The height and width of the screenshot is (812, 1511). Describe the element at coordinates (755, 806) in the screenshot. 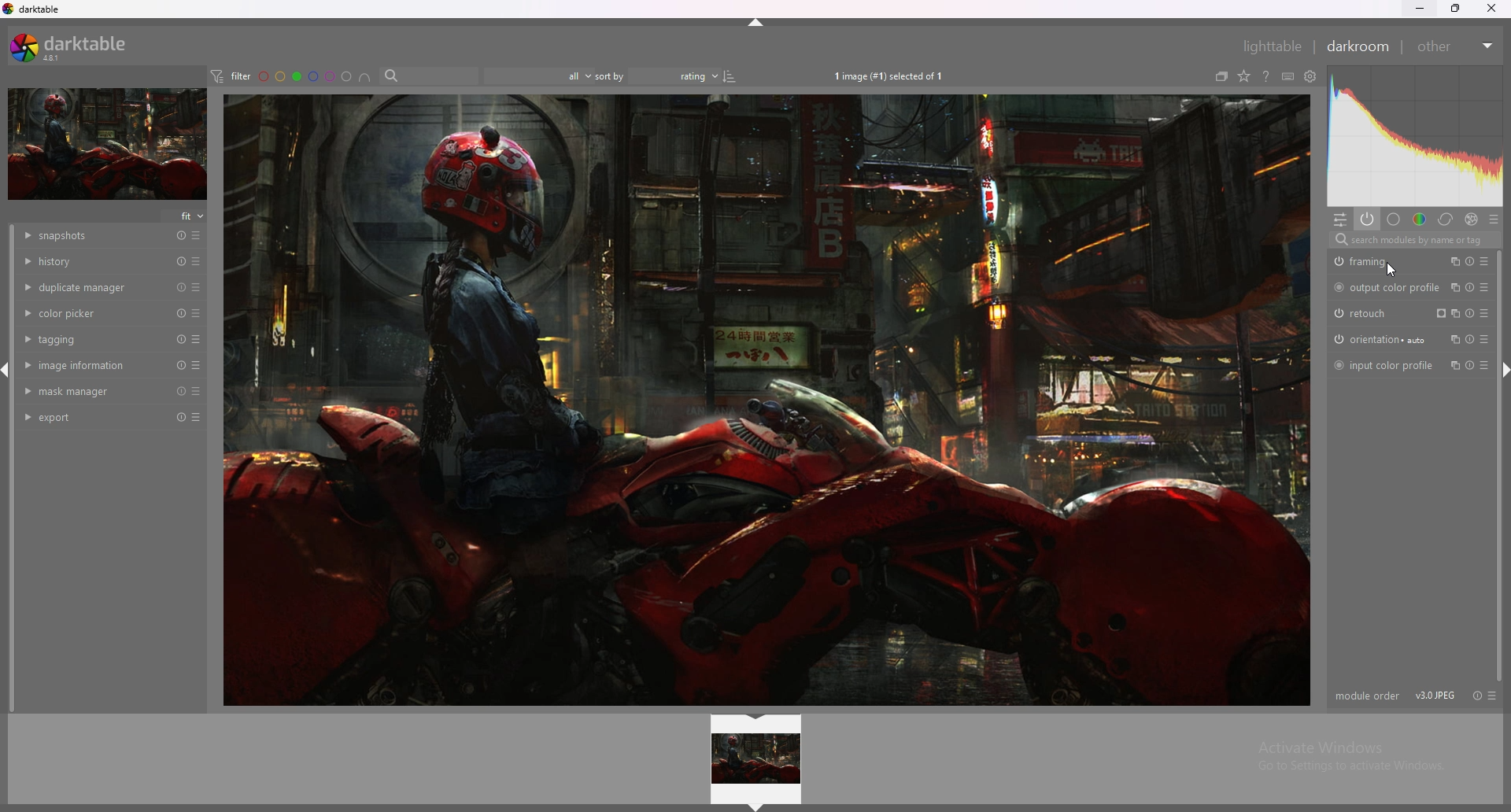

I see `hide panel` at that location.